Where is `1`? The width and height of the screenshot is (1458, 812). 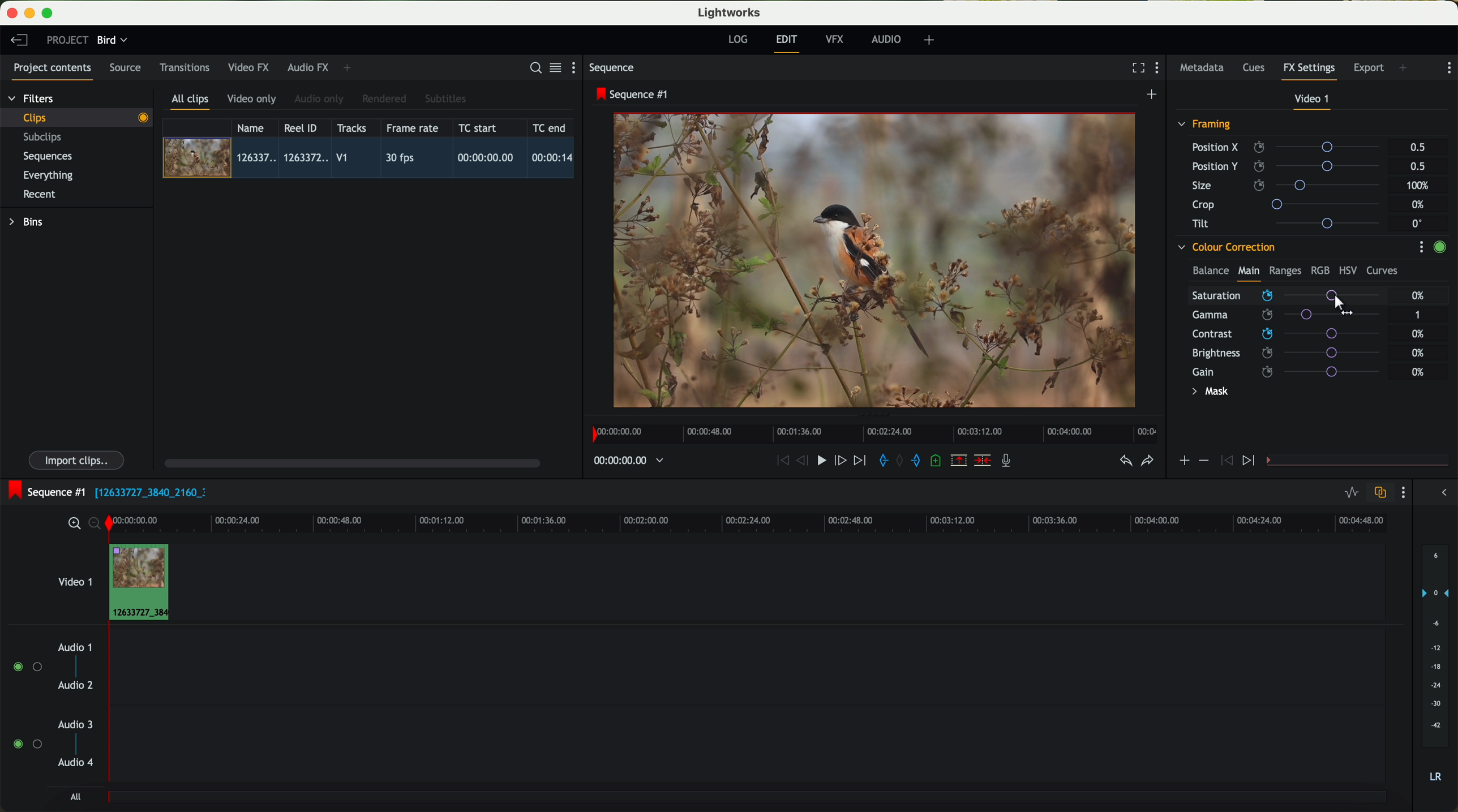
1 is located at coordinates (1418, 316).